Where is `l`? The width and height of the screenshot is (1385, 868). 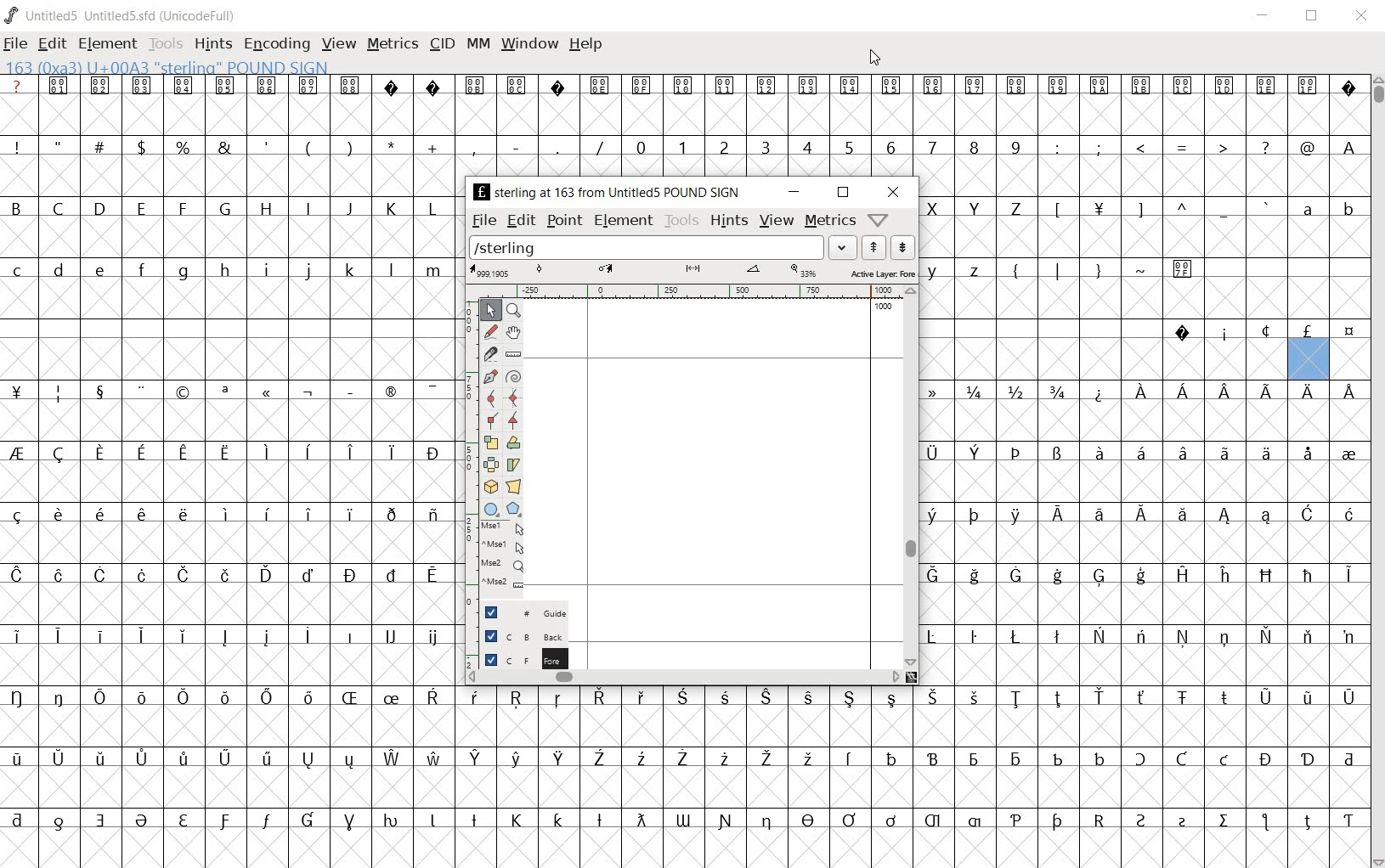 l is located at coordinates (392, 269).